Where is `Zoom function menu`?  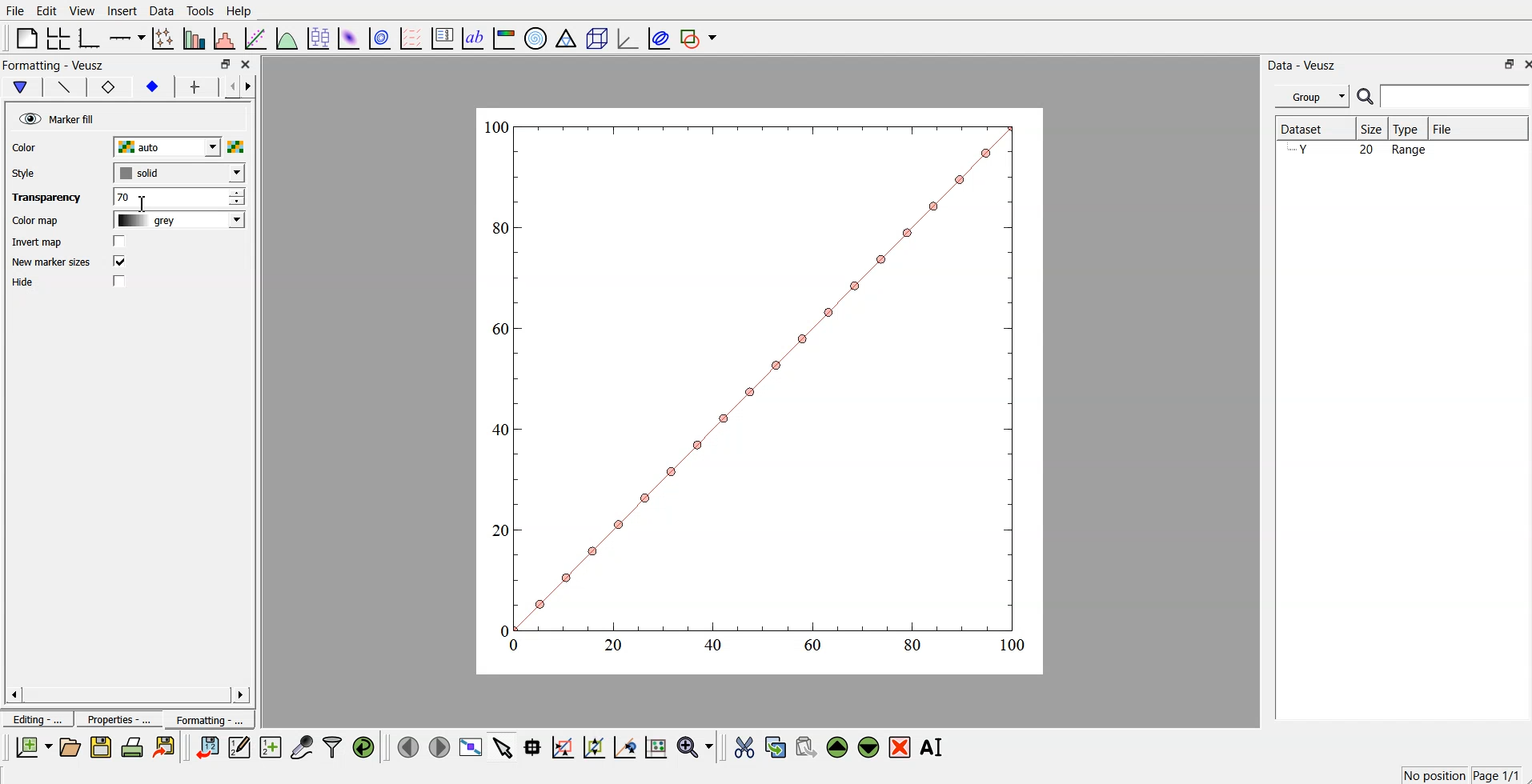 Zoom function menu is located at coordinates (696, 746).